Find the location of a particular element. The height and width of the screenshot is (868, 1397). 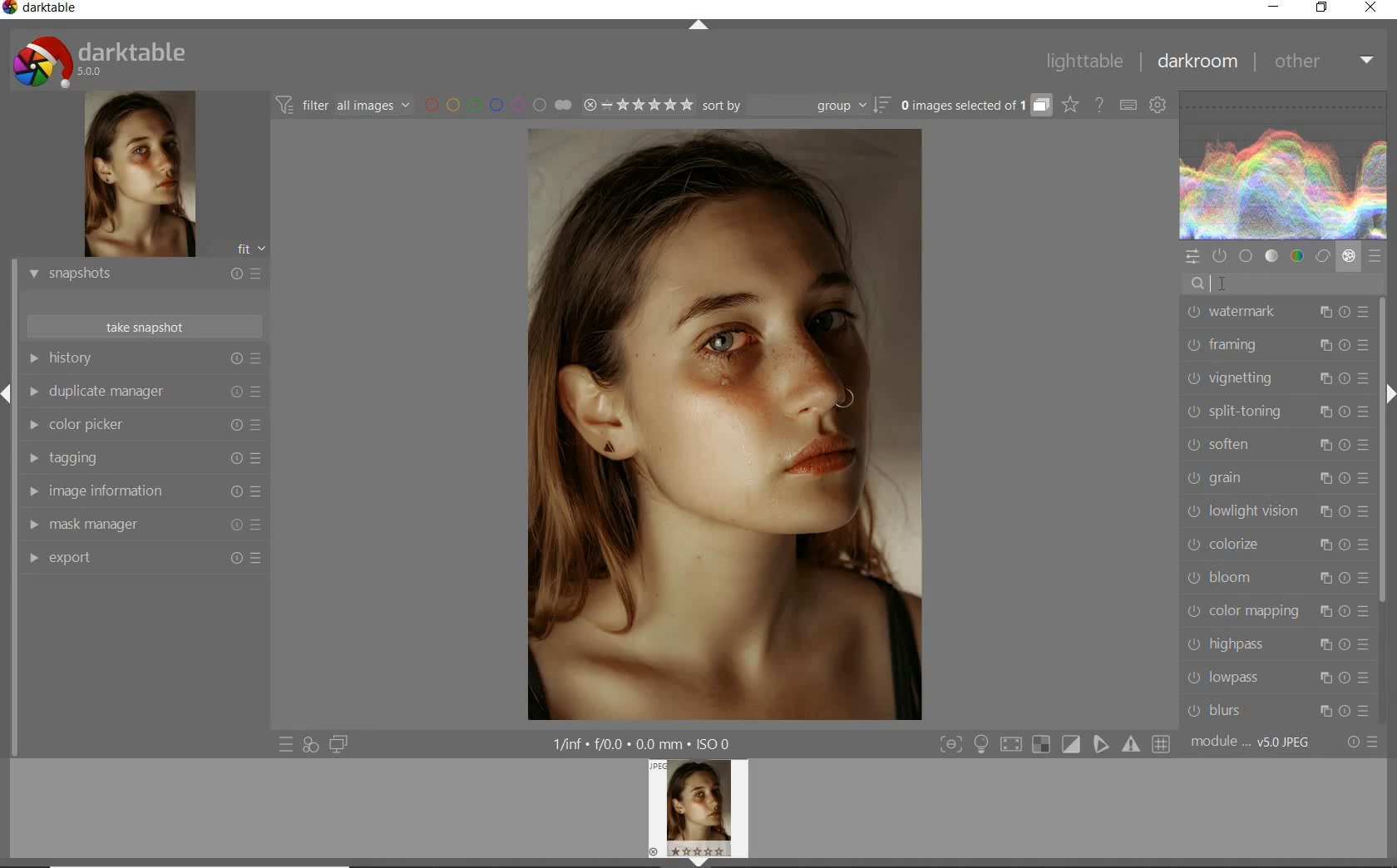

soften is located at coordinates (1277, 442).